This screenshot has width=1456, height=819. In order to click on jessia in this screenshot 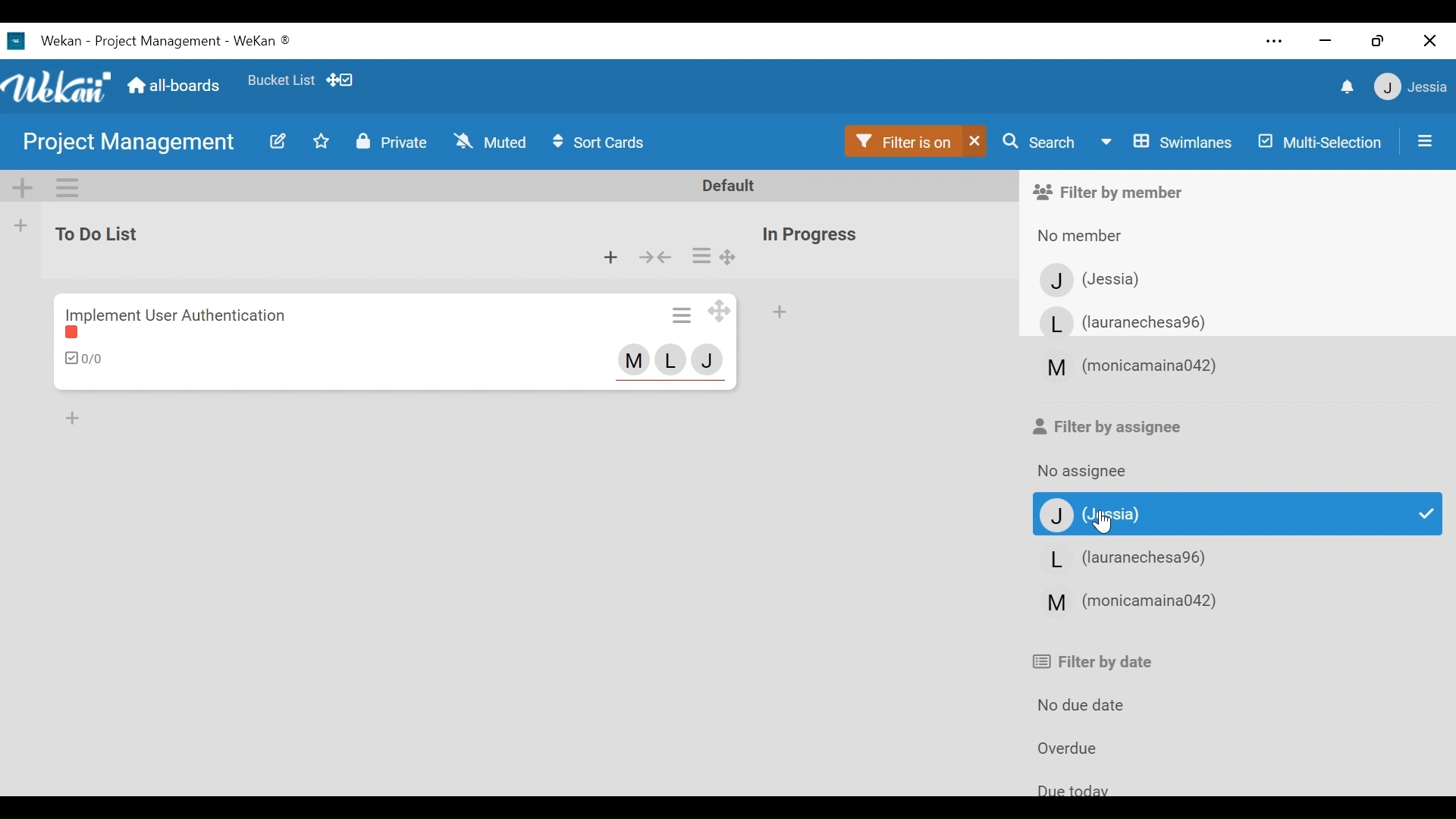, I will do `click(1409, 87)`.